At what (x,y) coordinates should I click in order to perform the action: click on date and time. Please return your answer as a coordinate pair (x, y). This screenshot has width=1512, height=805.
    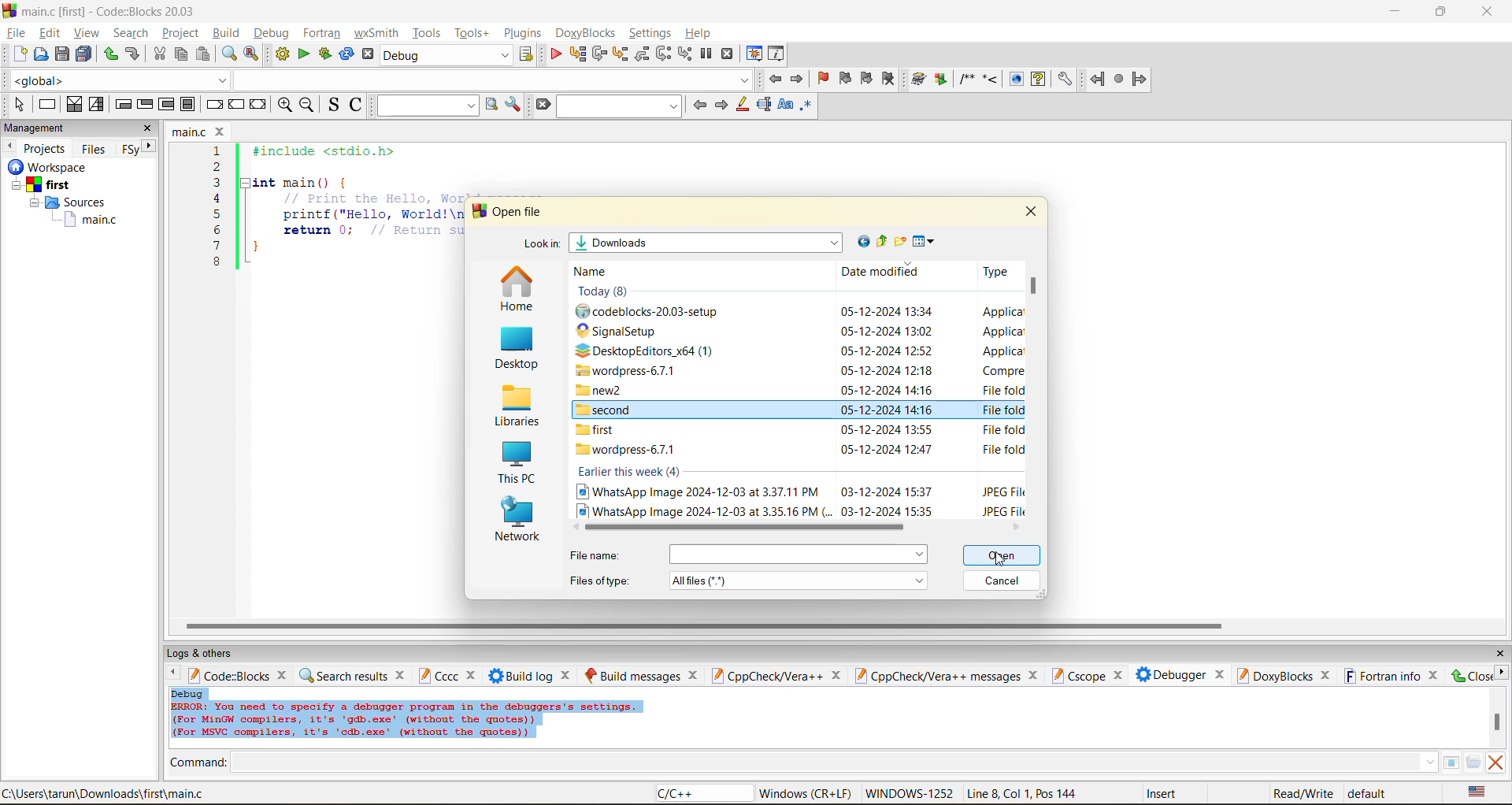
    Looking at the image, I should click on (887, 391).